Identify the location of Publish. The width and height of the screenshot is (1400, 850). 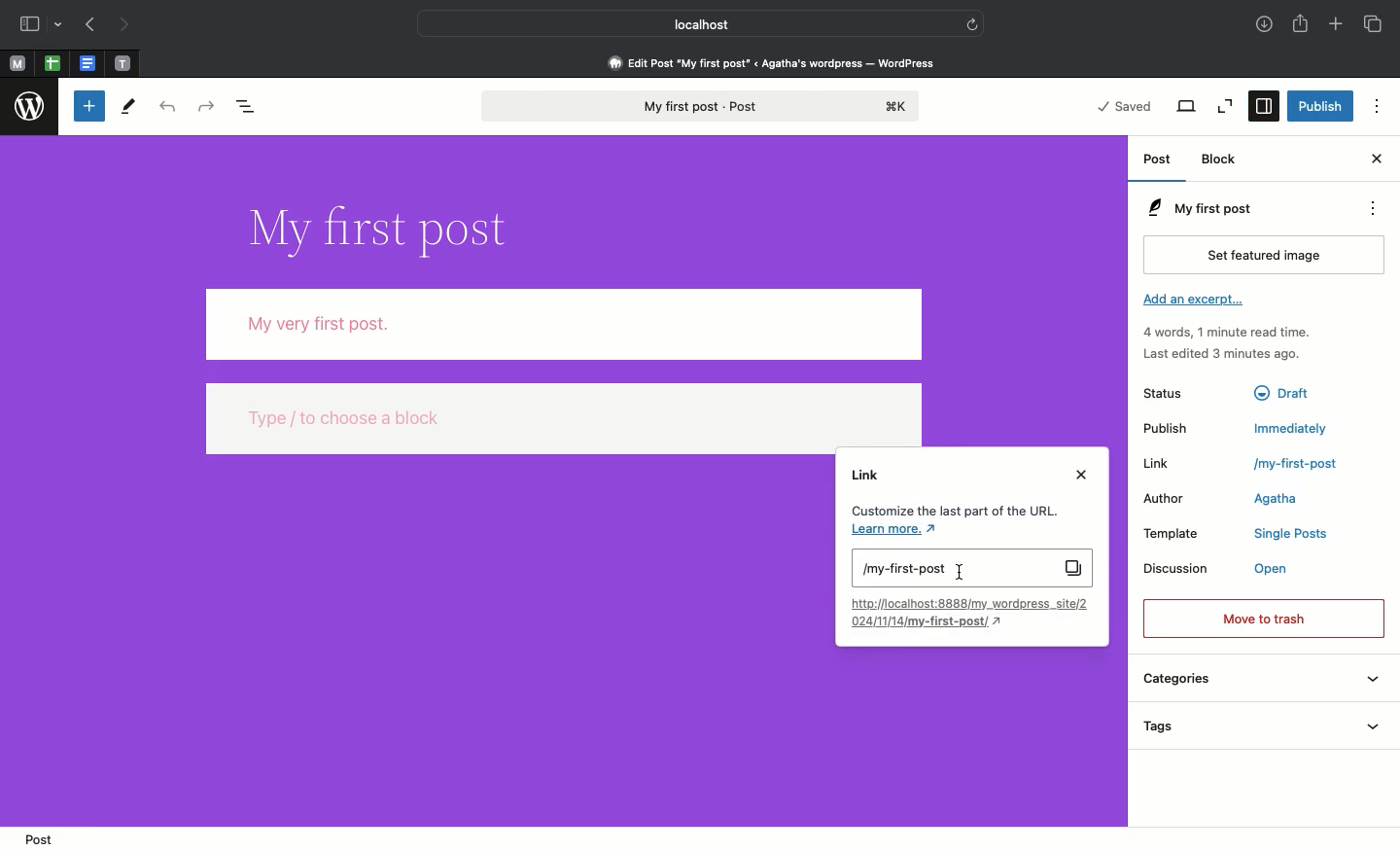
(1166, 426).